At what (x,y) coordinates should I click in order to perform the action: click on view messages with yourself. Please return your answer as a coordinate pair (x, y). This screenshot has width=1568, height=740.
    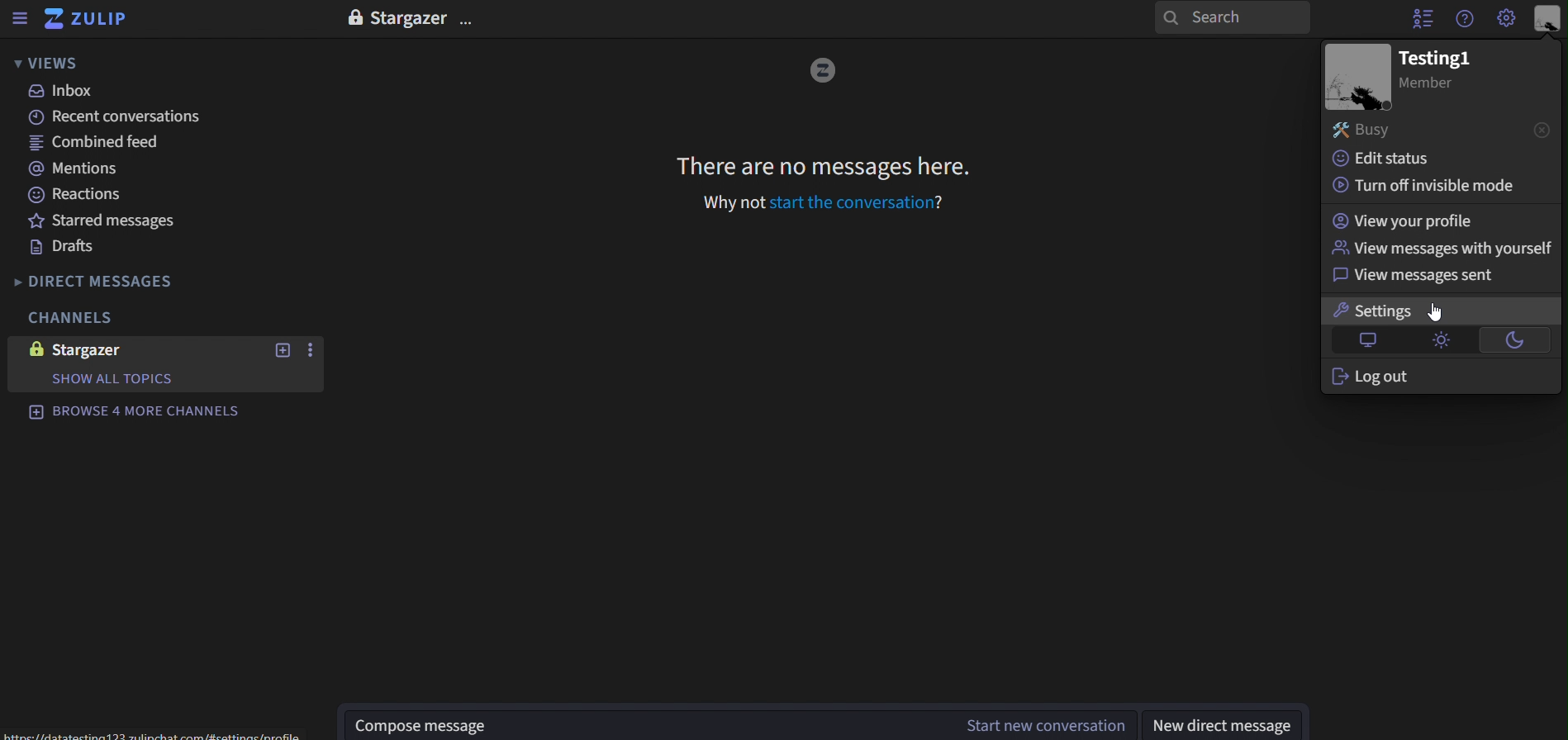
    Looking at the image, I should click on (1437, 248).